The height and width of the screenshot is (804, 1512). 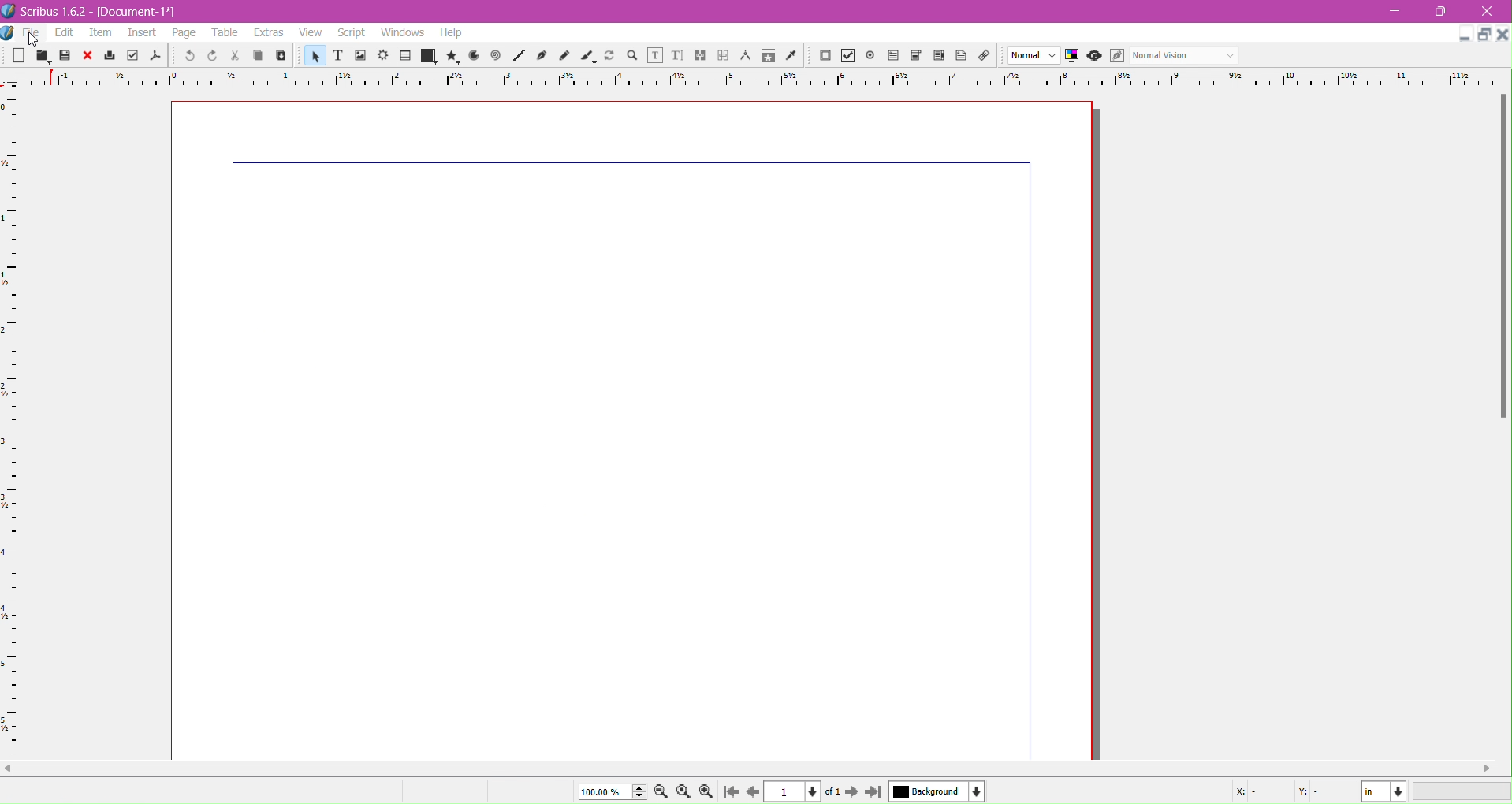 What do you see at coordinates (233, 57) in the screenshot?
I see `cut` at bounding box center [233, 57].